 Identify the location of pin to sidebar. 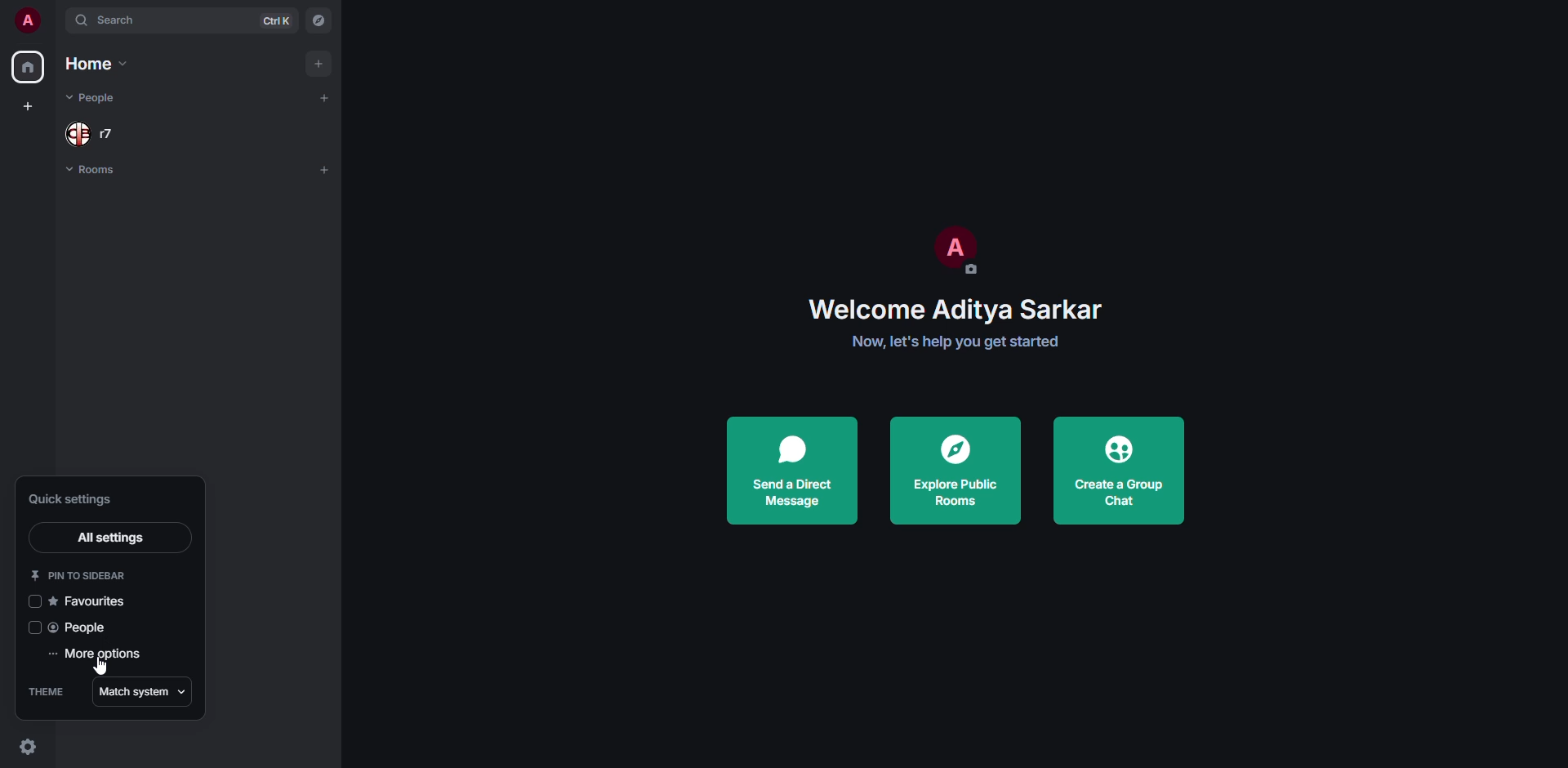
(80, 575).